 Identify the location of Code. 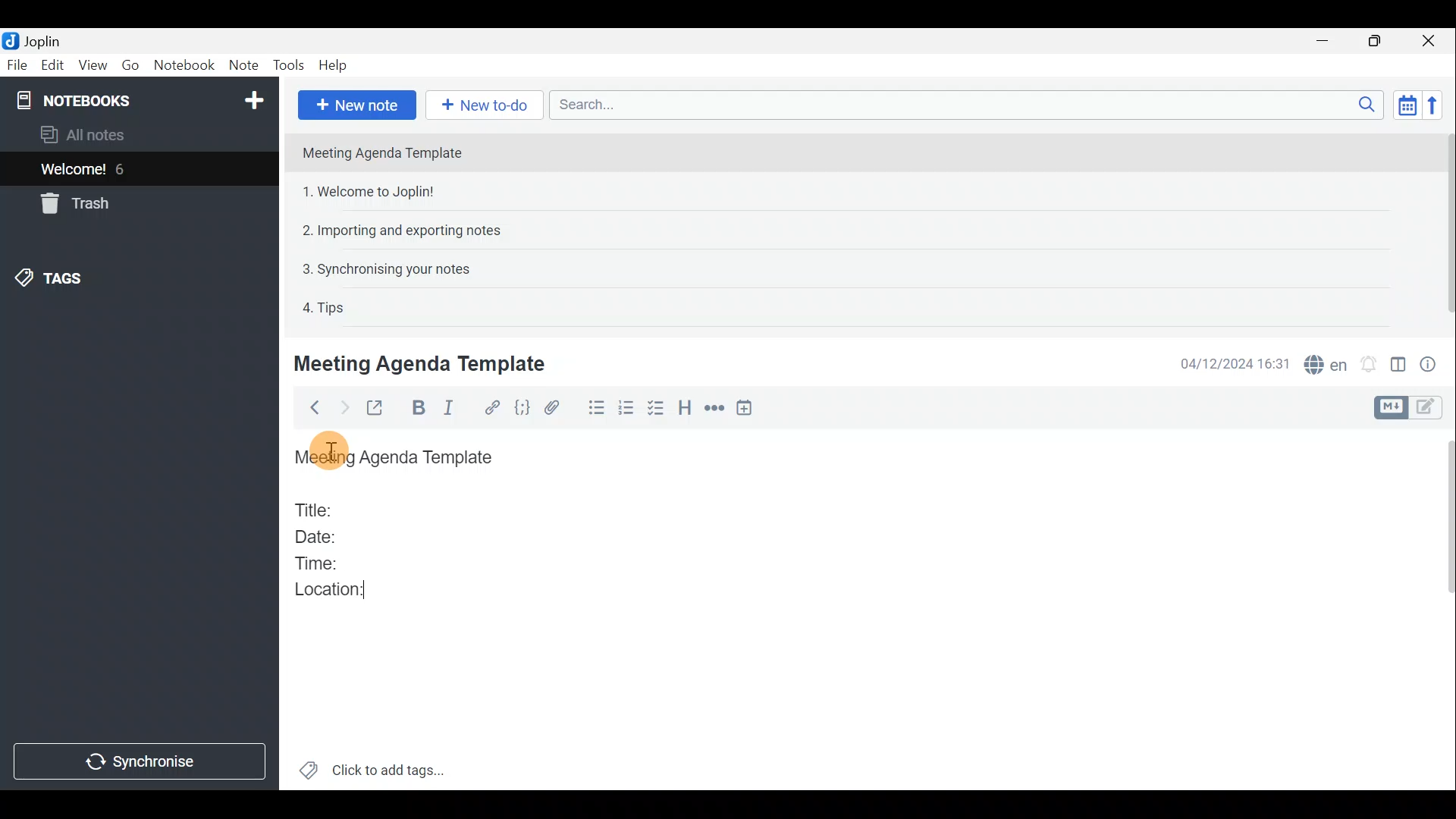
(522, 410).